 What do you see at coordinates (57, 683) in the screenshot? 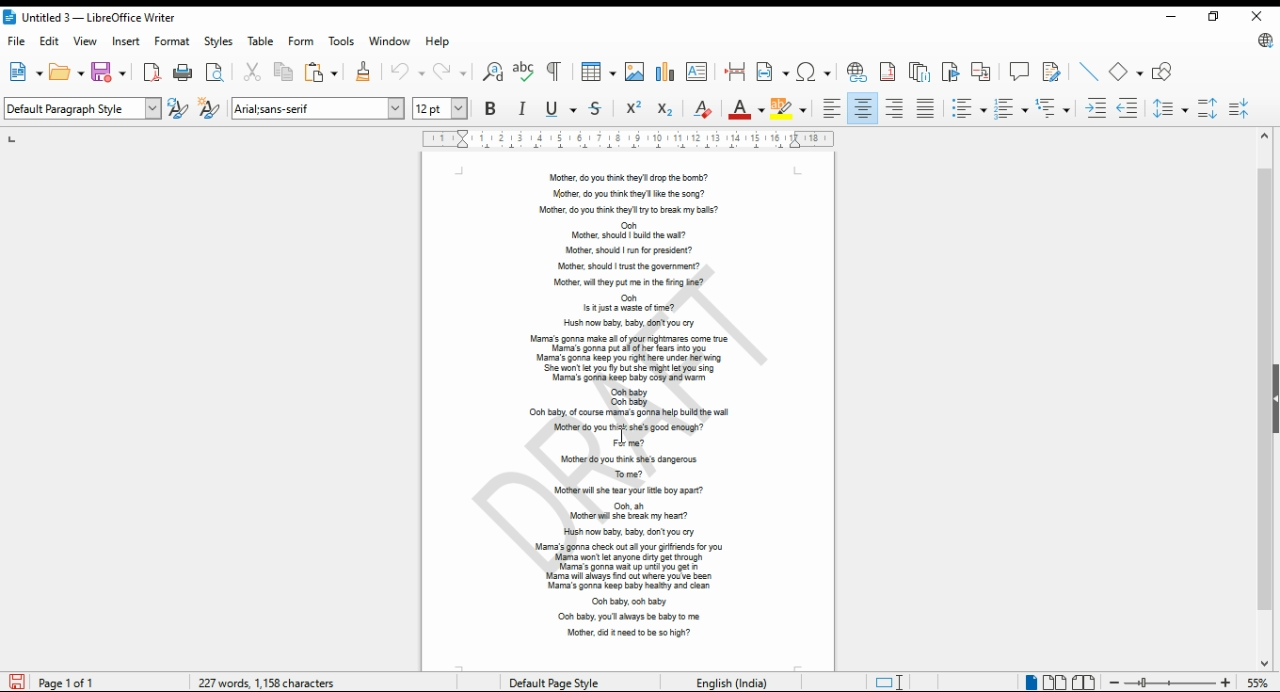
I see `page info` at bounding box center [57, 683].